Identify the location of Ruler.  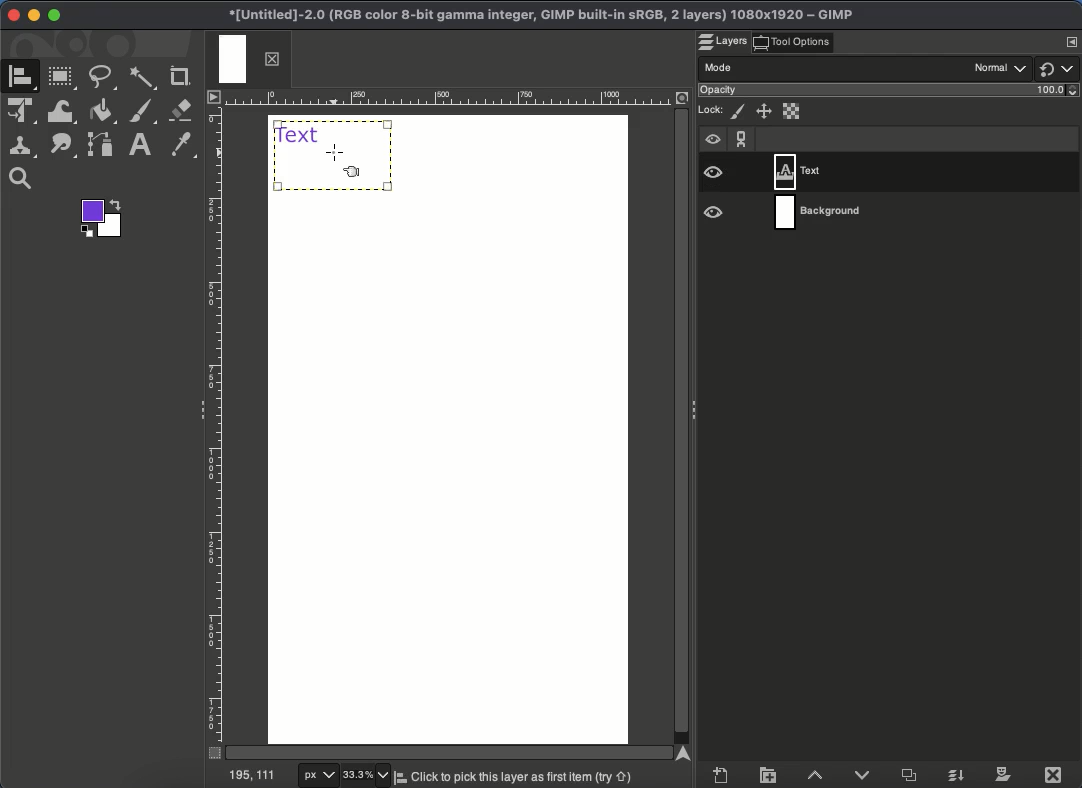
(214, 423).